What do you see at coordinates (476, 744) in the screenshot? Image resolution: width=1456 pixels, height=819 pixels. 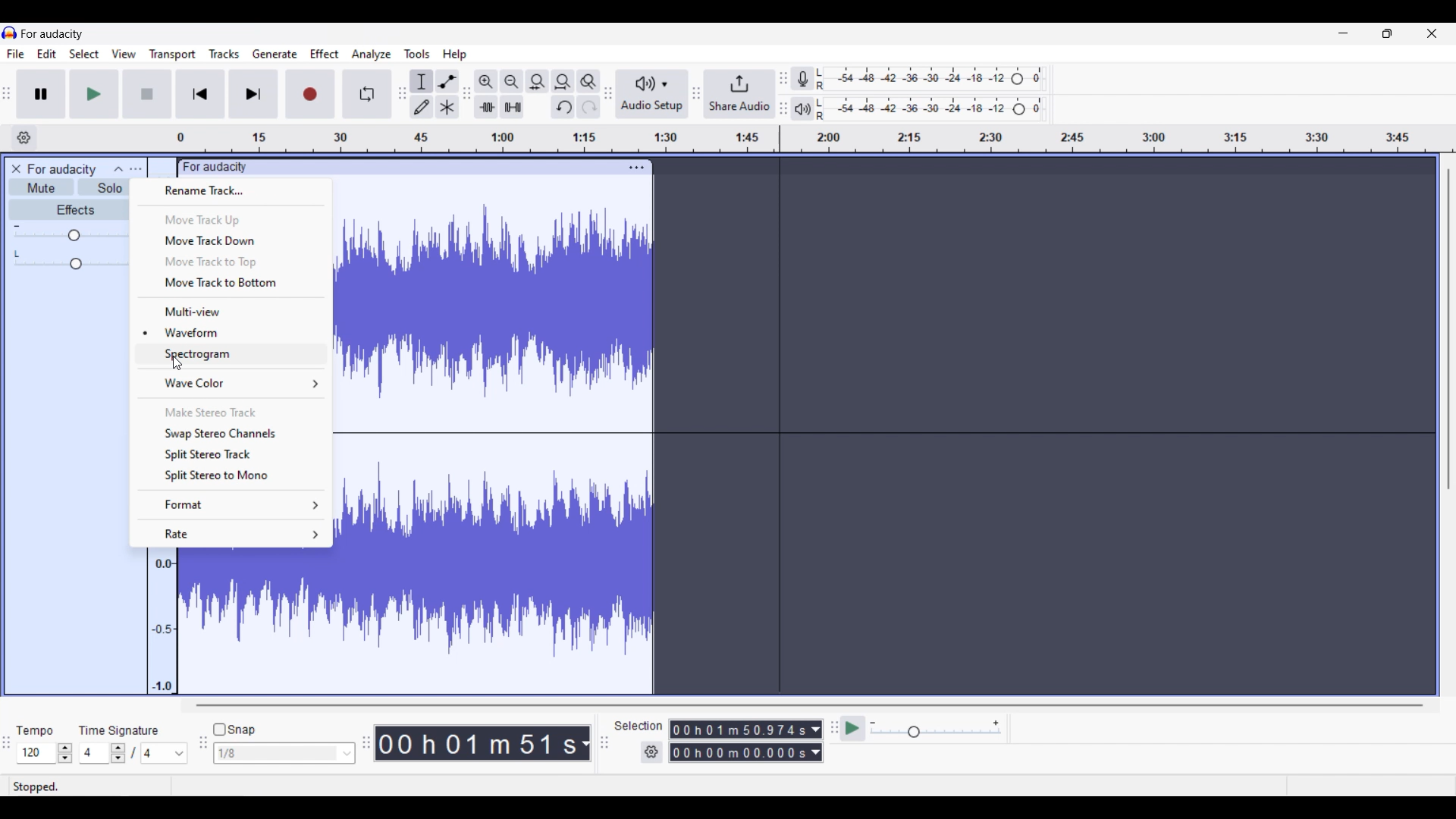 I see `Current duration` at bounding box center [476, 744].